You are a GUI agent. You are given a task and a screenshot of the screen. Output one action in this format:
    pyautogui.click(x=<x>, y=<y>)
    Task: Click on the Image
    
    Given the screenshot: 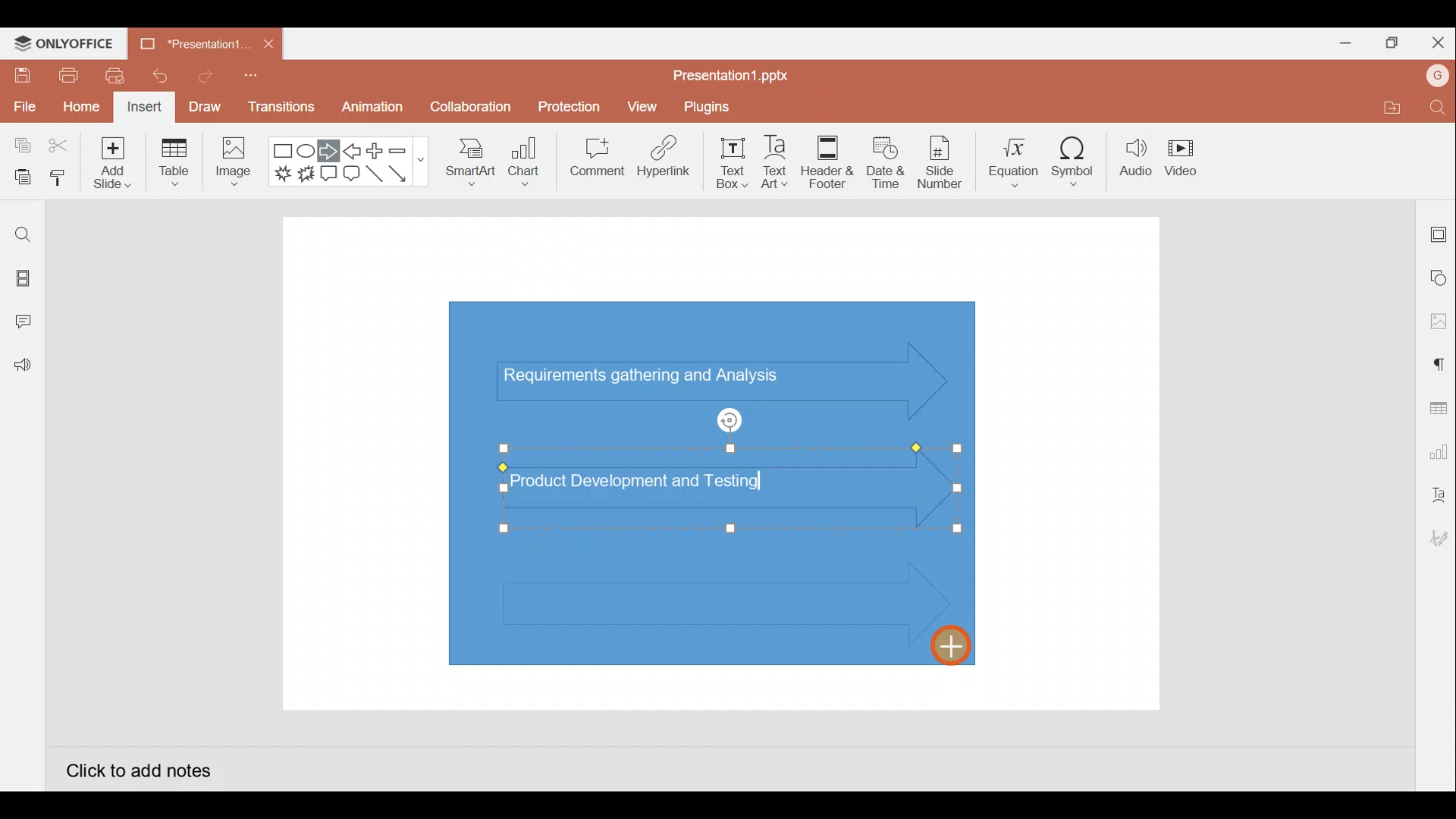 What is the action you would take?
    pyautogui.click(x=231, y=165)
    